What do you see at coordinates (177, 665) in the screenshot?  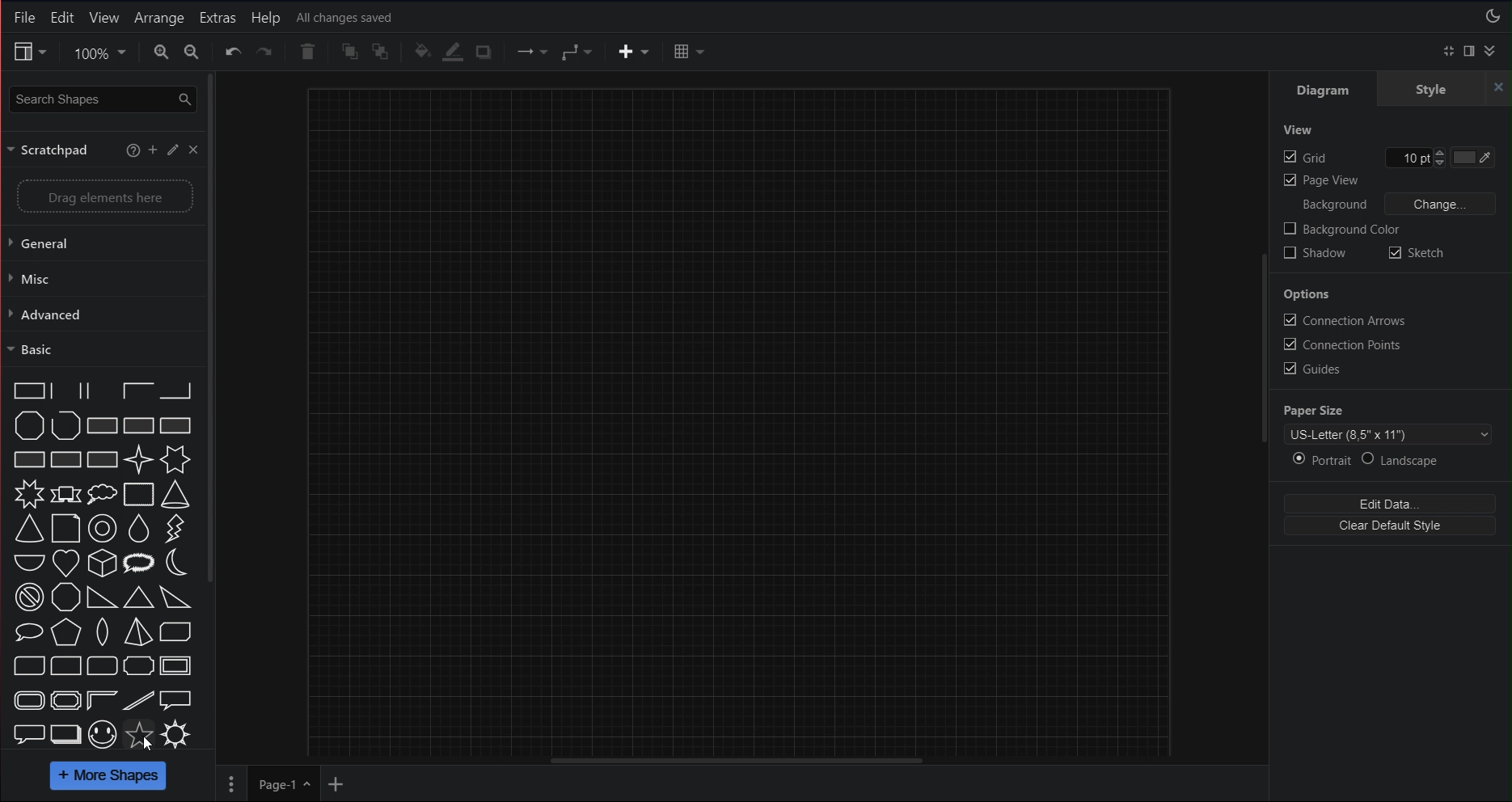 I see `frame` at bounding box center [177, 665].